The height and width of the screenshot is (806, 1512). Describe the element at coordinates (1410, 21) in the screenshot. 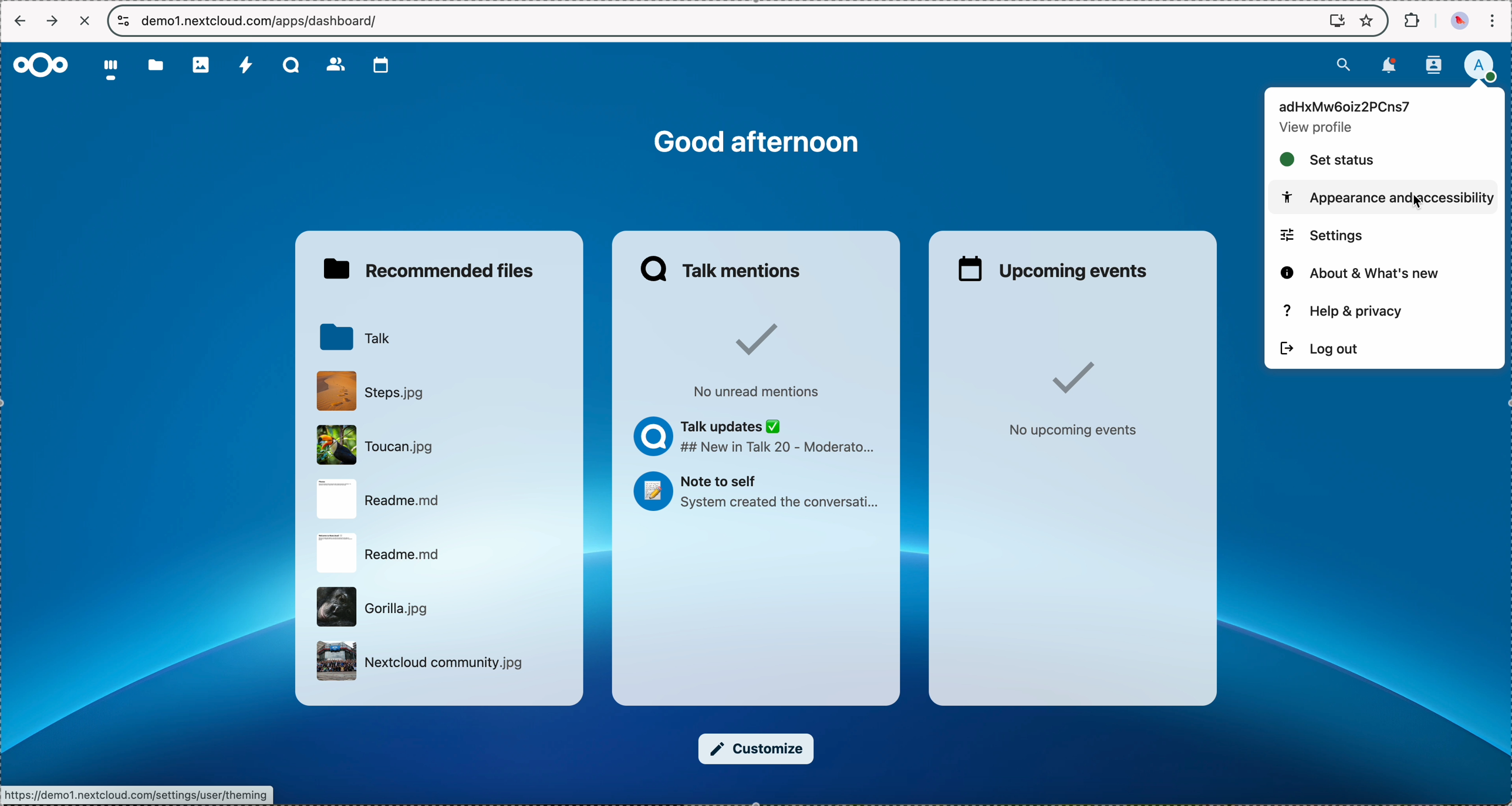

I see `extensions` at that location.